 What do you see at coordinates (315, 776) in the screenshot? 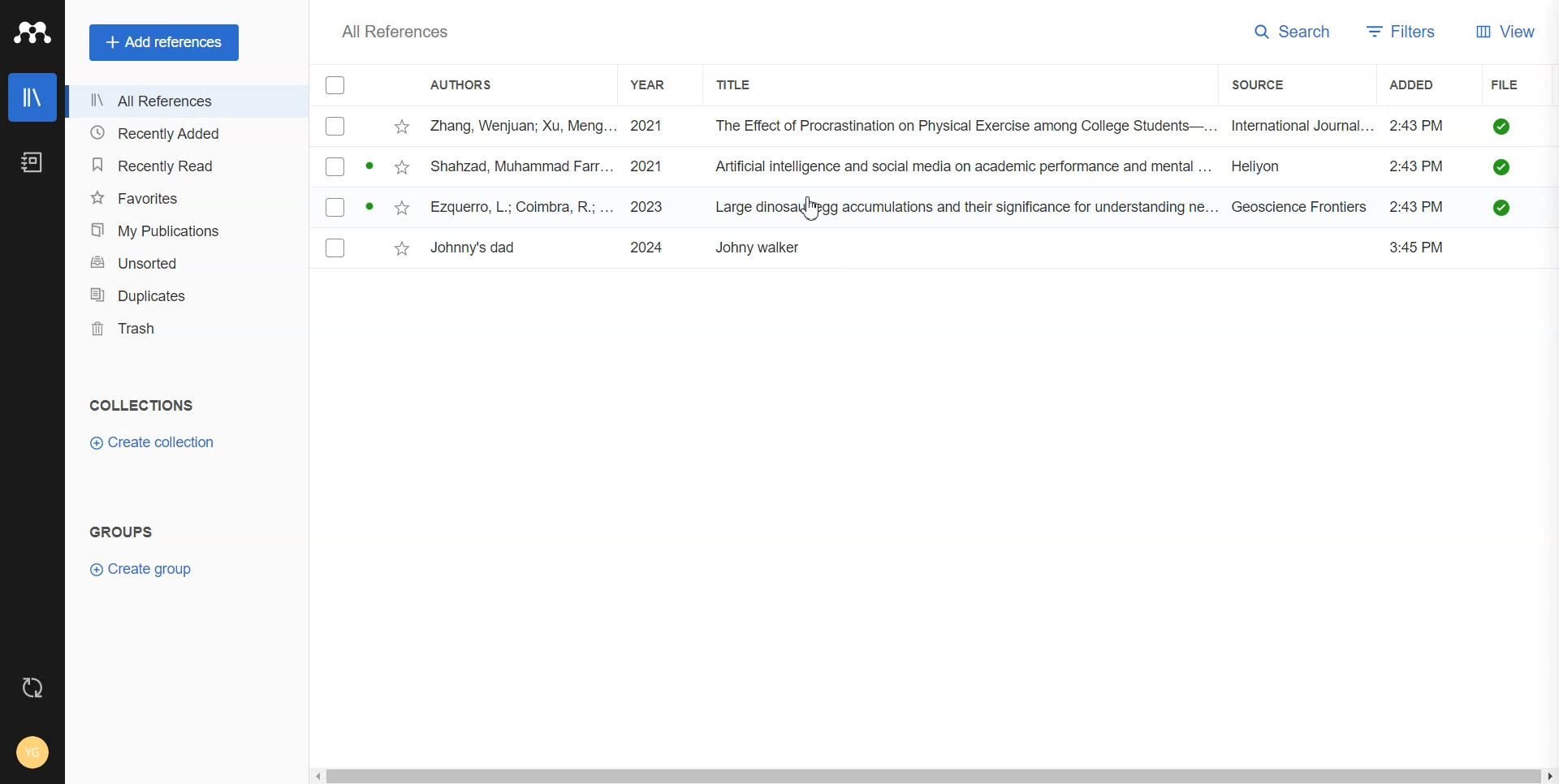
I see `Scroll Left` at bounding box center [315, 776].